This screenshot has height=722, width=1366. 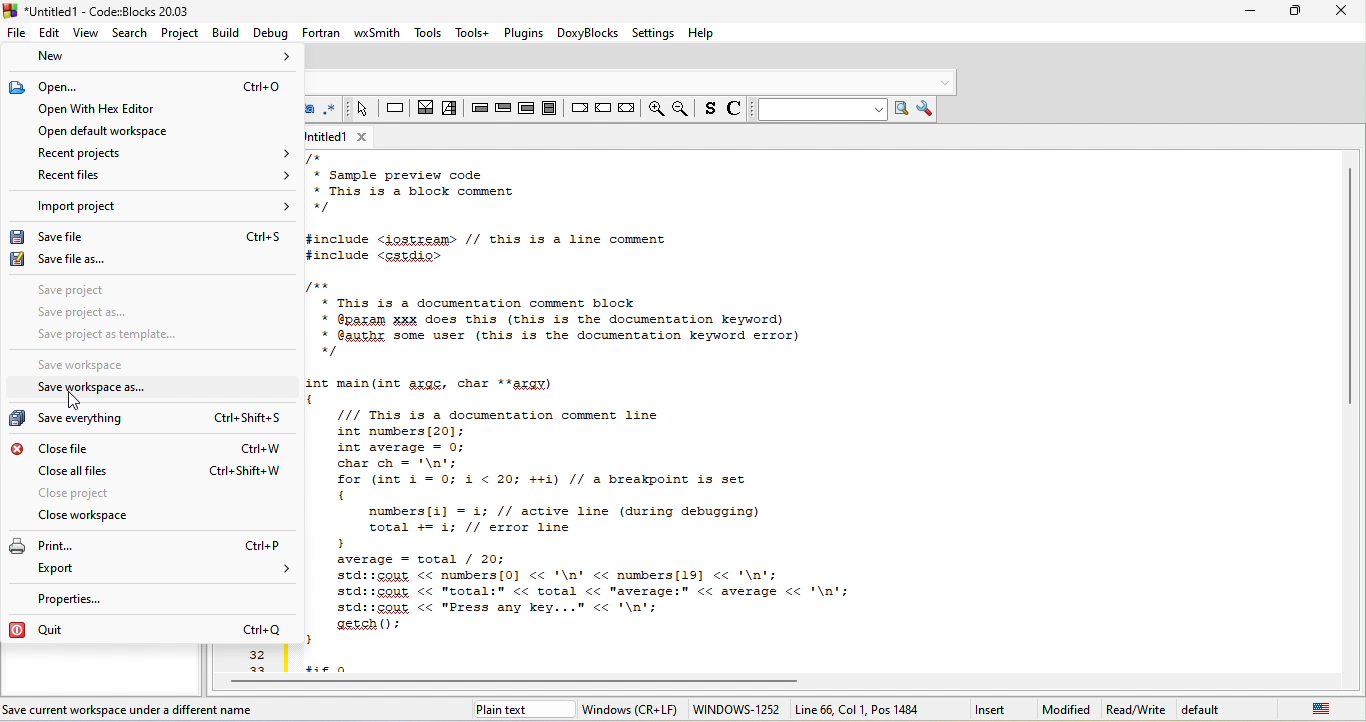 I want to click on file, so click(x=16, y=33).